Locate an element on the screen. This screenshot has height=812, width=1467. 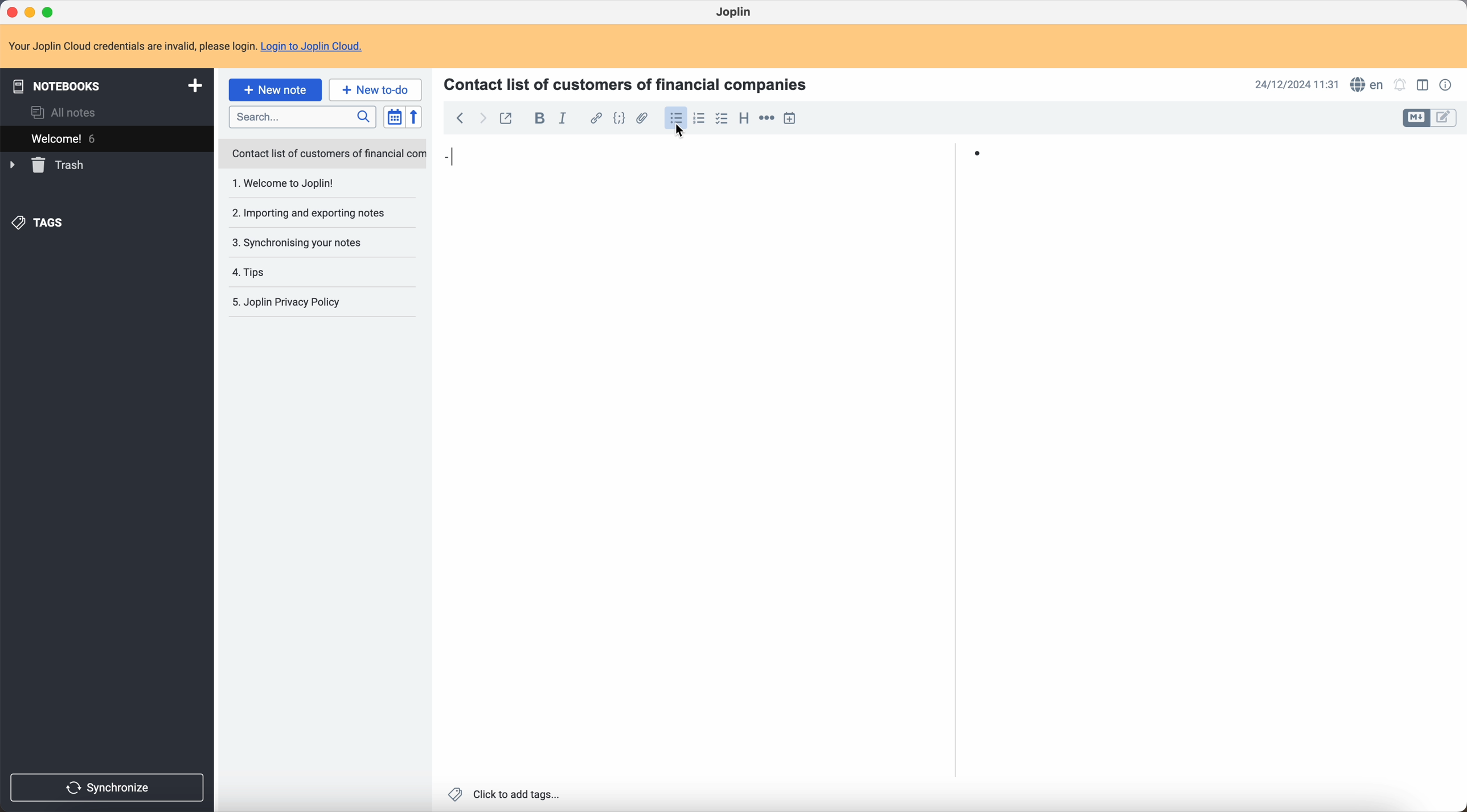
toggle edit layout is located at coordinates (1444, 118).